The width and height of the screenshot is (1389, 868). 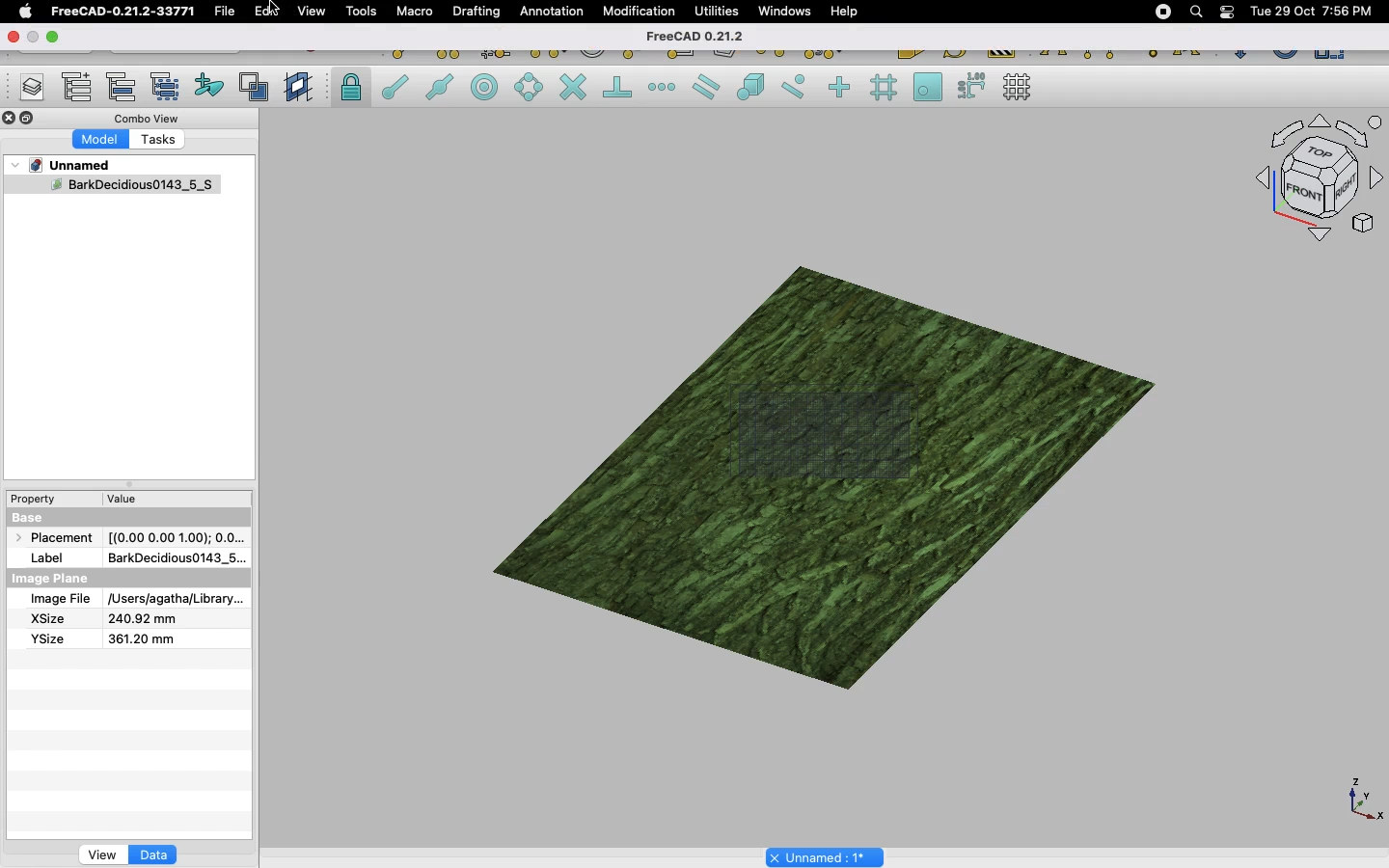 I want to click on File, so click(x=225, y=12).